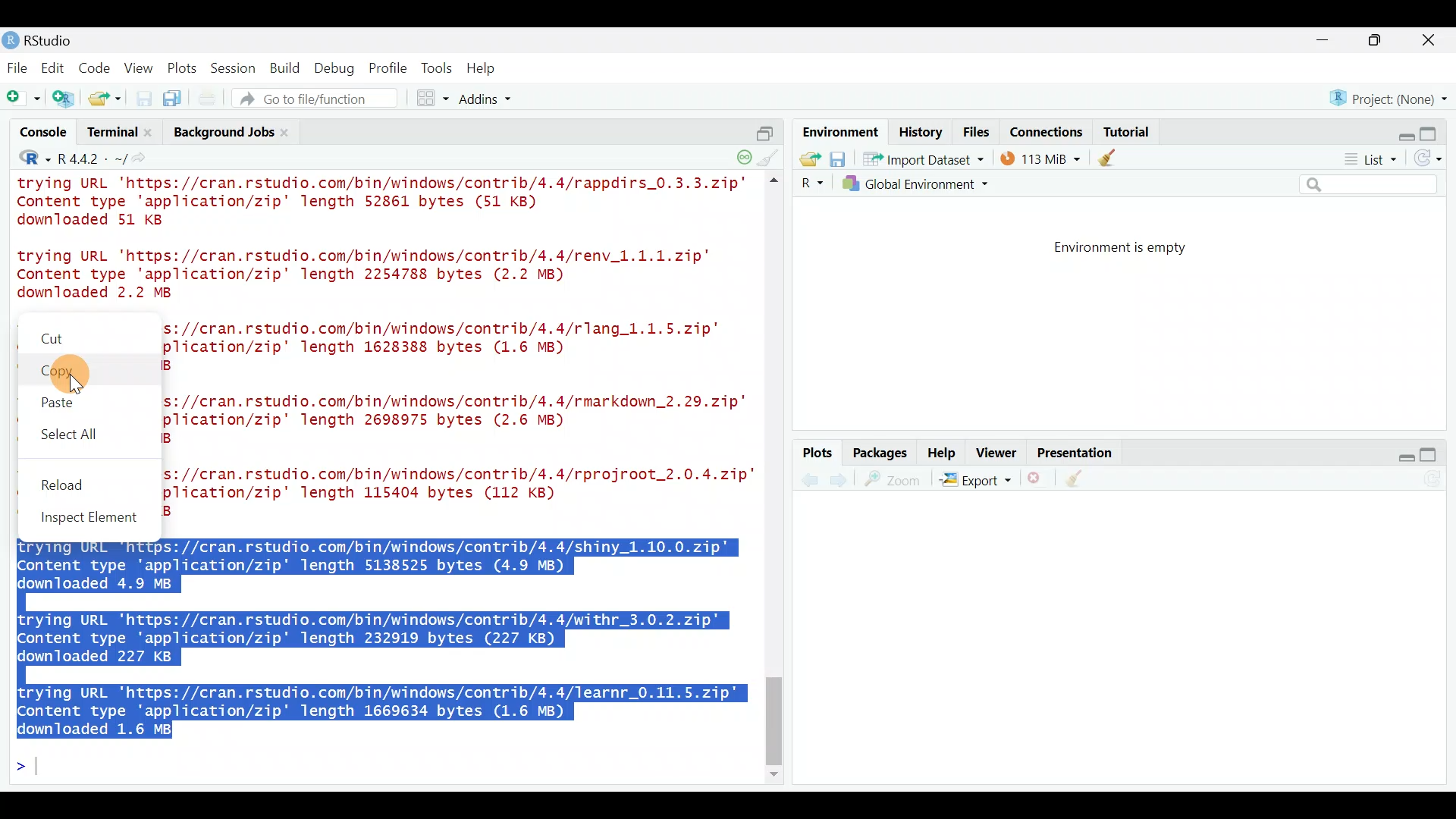 The image size is (1456, 819). What do you see at coordinates (209, 99) in the screenshot?
I see `Print the current file` at bounding box center [209, 99].